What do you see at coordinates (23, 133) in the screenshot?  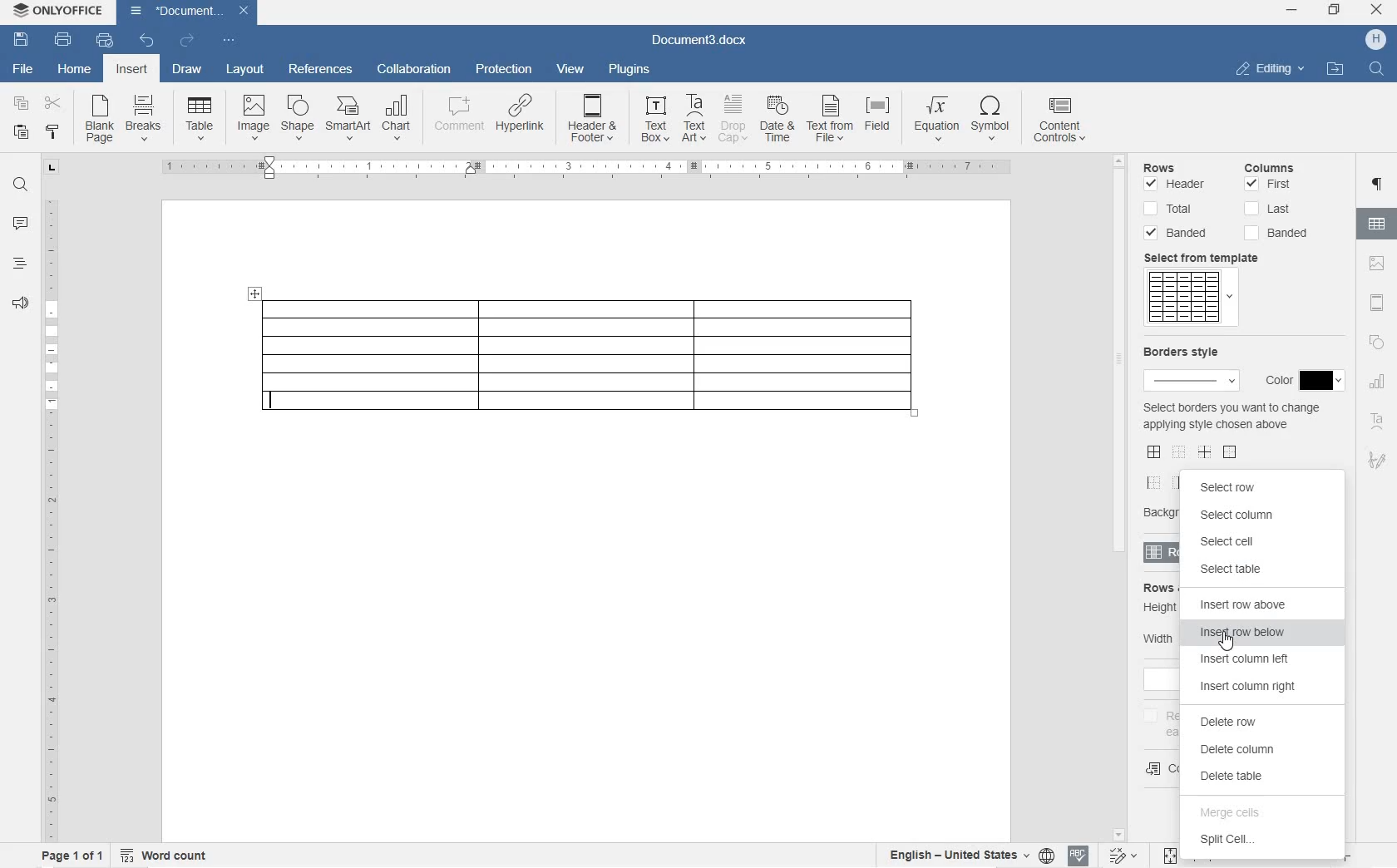 I see `PASTE` at bounding box center [23, 133].